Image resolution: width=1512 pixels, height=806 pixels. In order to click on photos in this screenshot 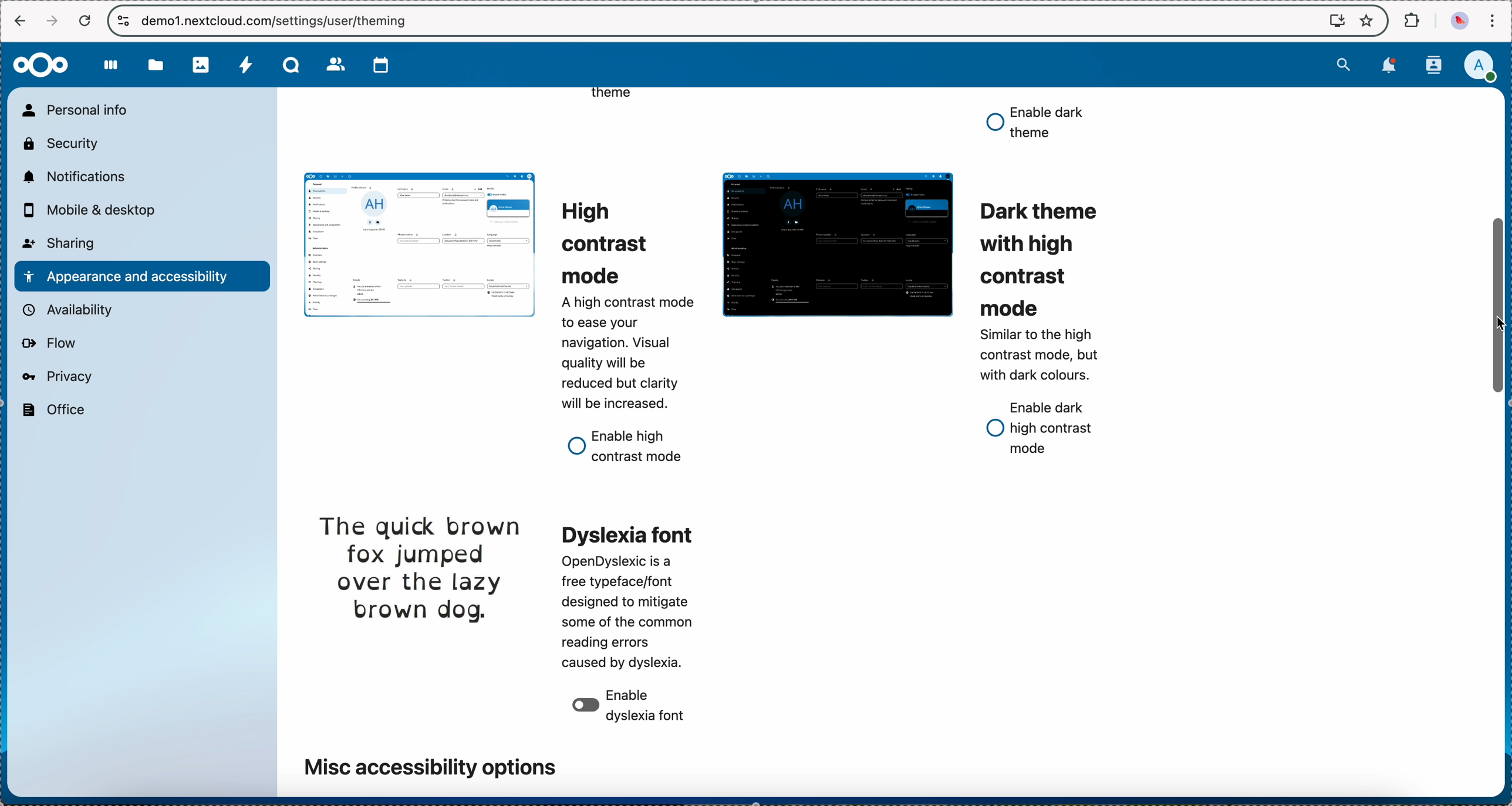, I will do `click(201, 66)`.